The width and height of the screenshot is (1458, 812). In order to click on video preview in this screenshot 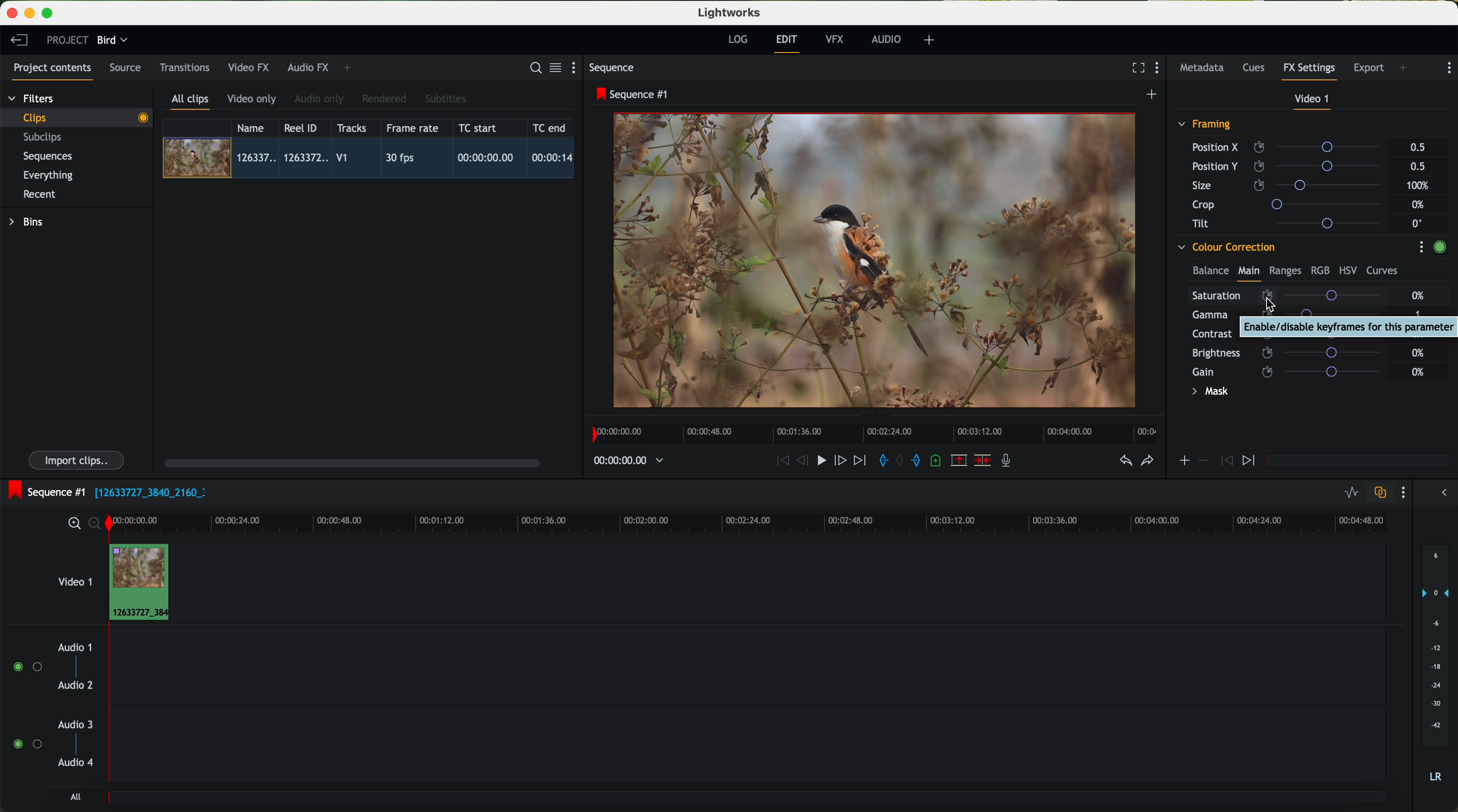, I will do `click(880, 261)`.